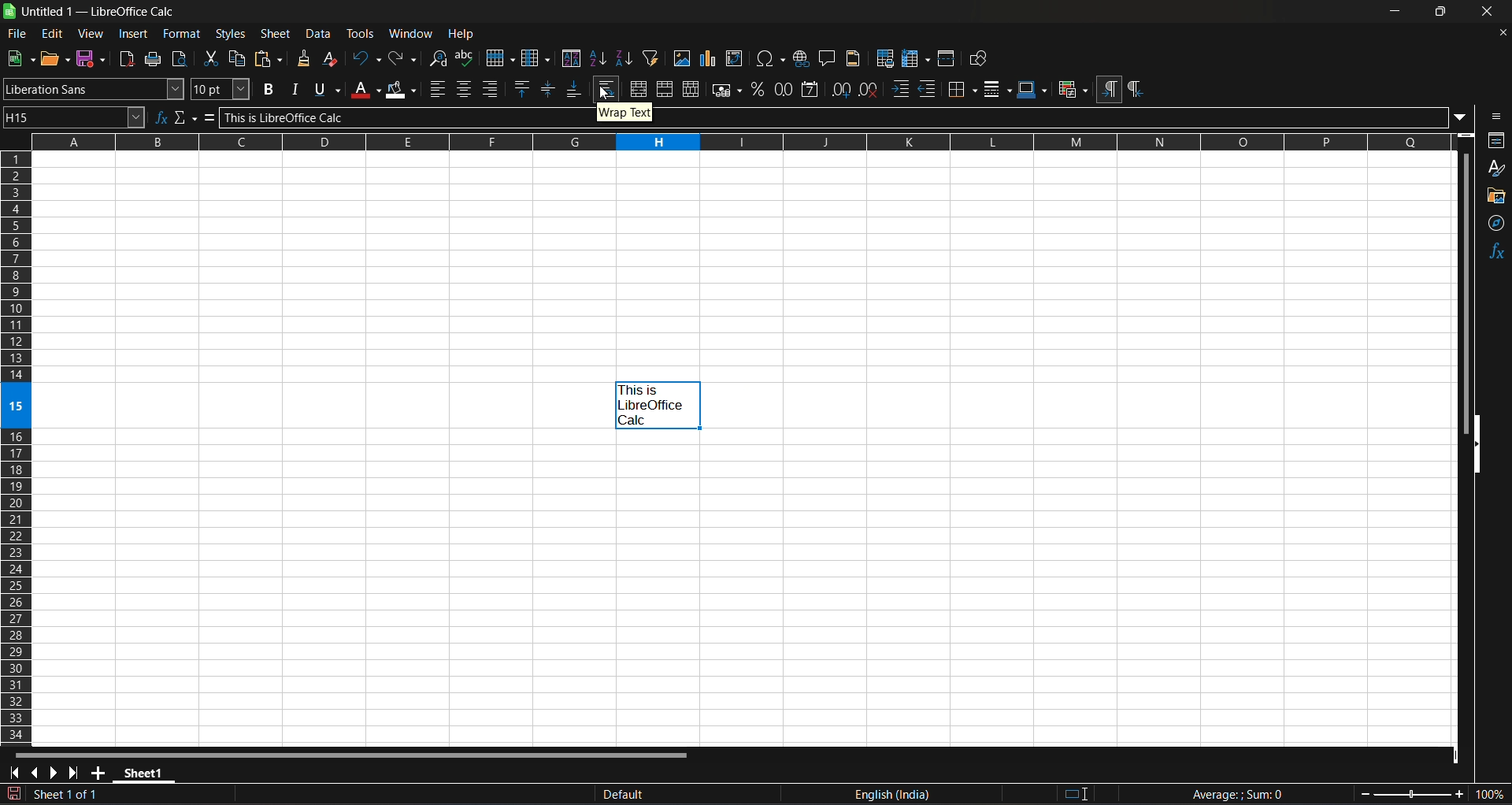 Image resolution: width=1512 pixels, height=805 pixels. What do you see at coordinates (94, 89) in the screenshot?
I see `font name` at bounding box center [94, 89].